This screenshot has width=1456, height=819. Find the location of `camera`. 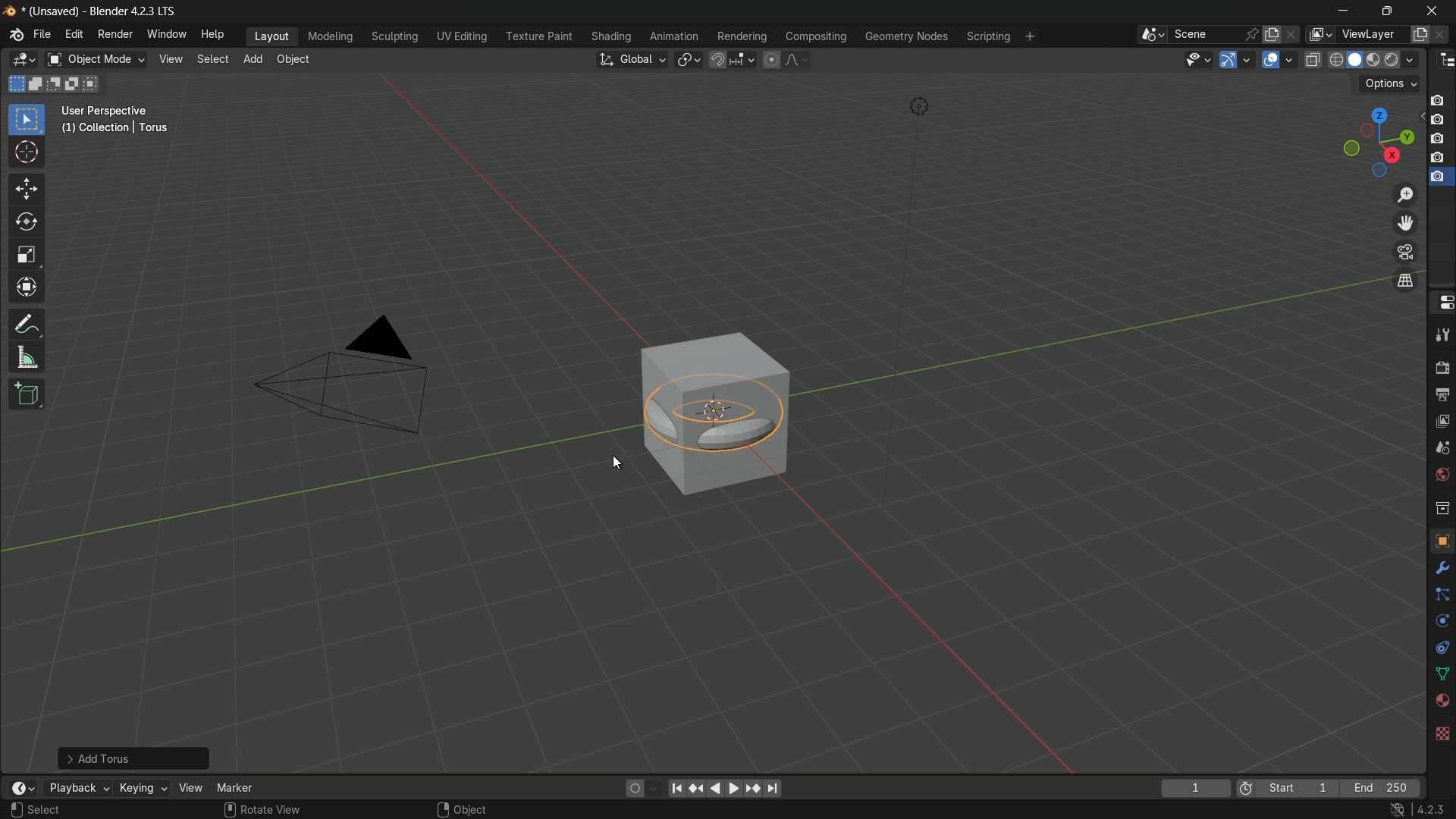

camera is located at coordinates (344, 375).